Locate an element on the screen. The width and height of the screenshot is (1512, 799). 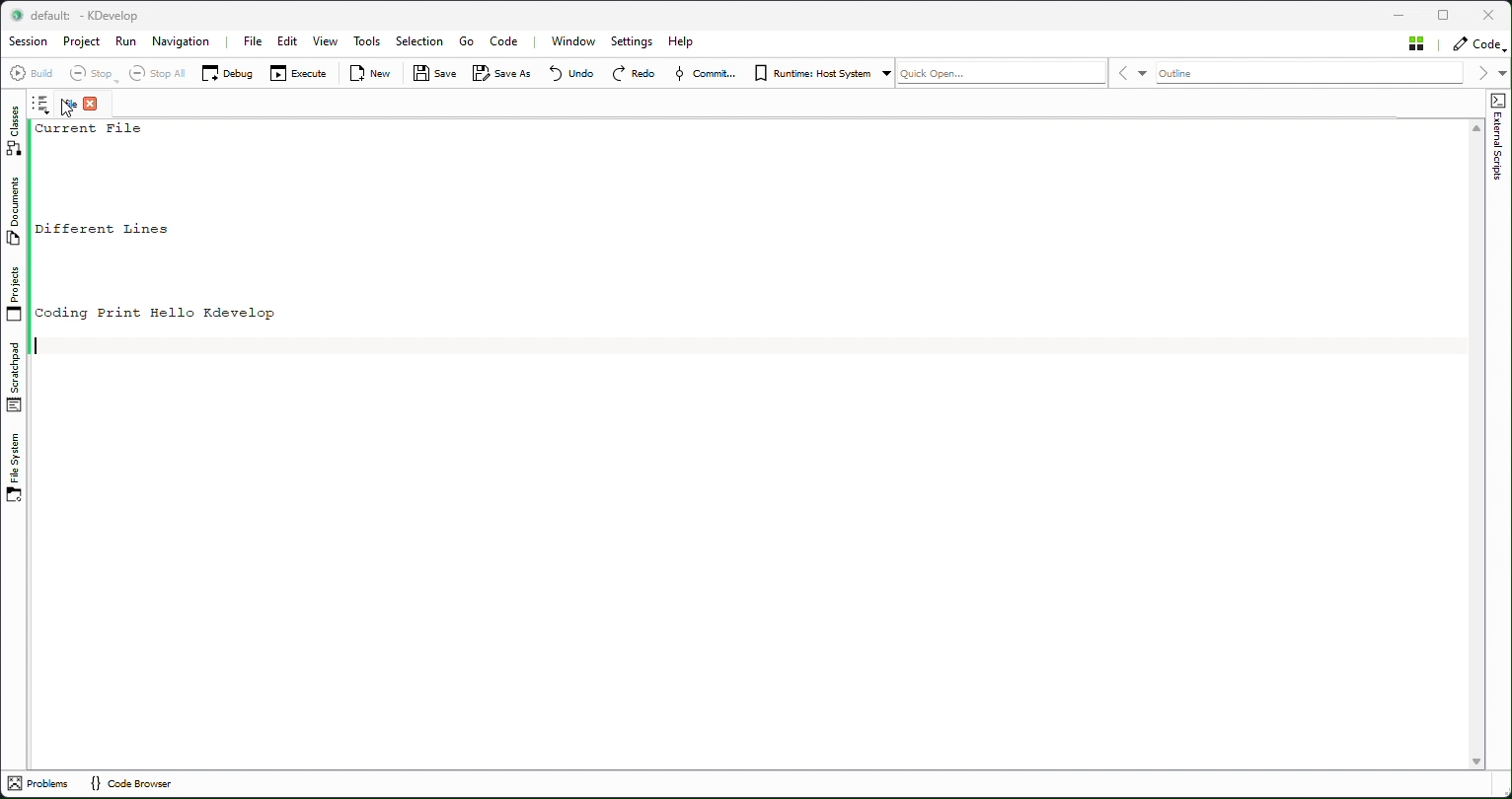
Build is located at coordinates (35, 75).